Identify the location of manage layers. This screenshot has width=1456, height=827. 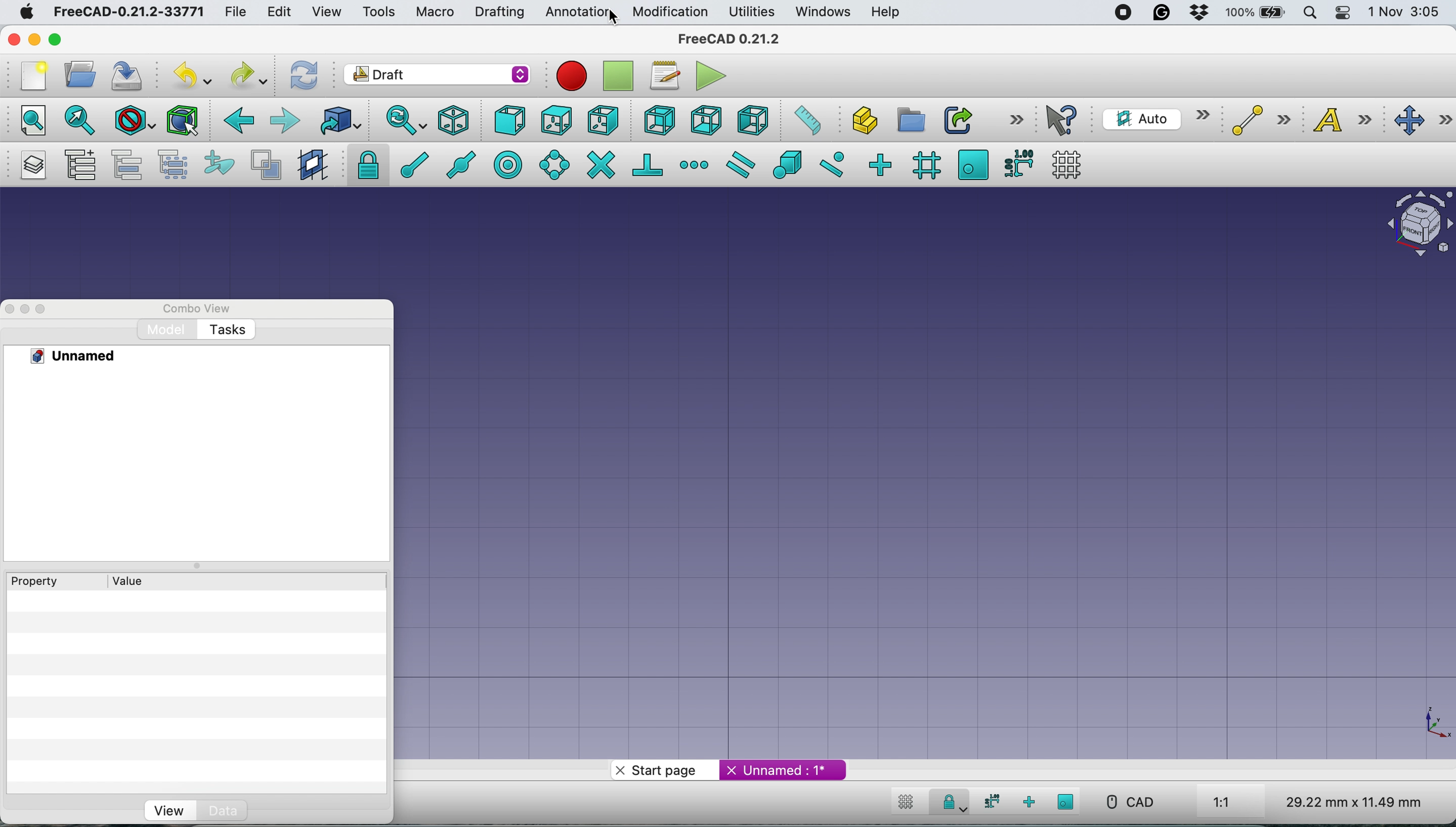
(30, 166).